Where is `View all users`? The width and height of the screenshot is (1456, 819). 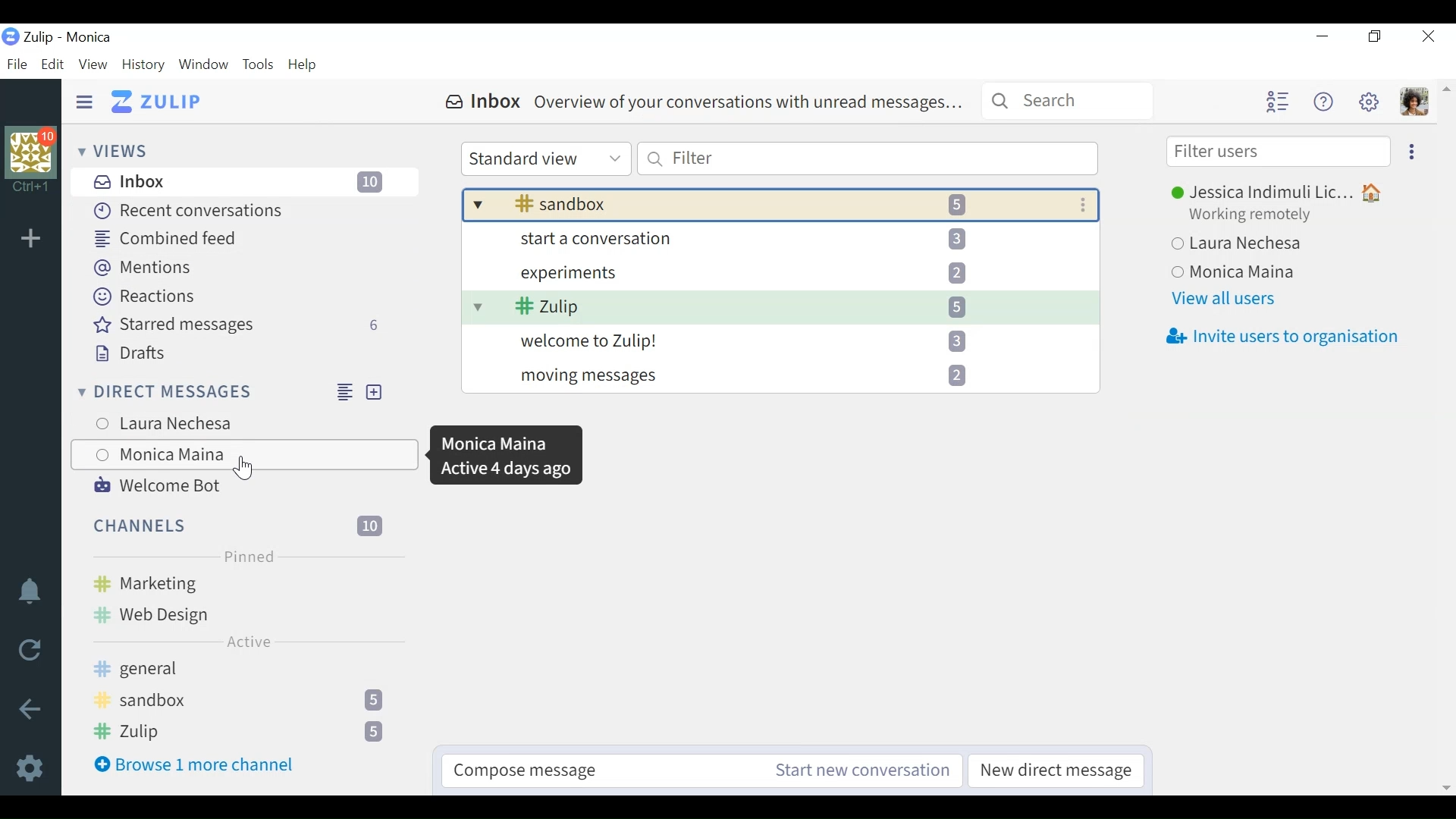
View all users is located at coordinates (1225, 300).